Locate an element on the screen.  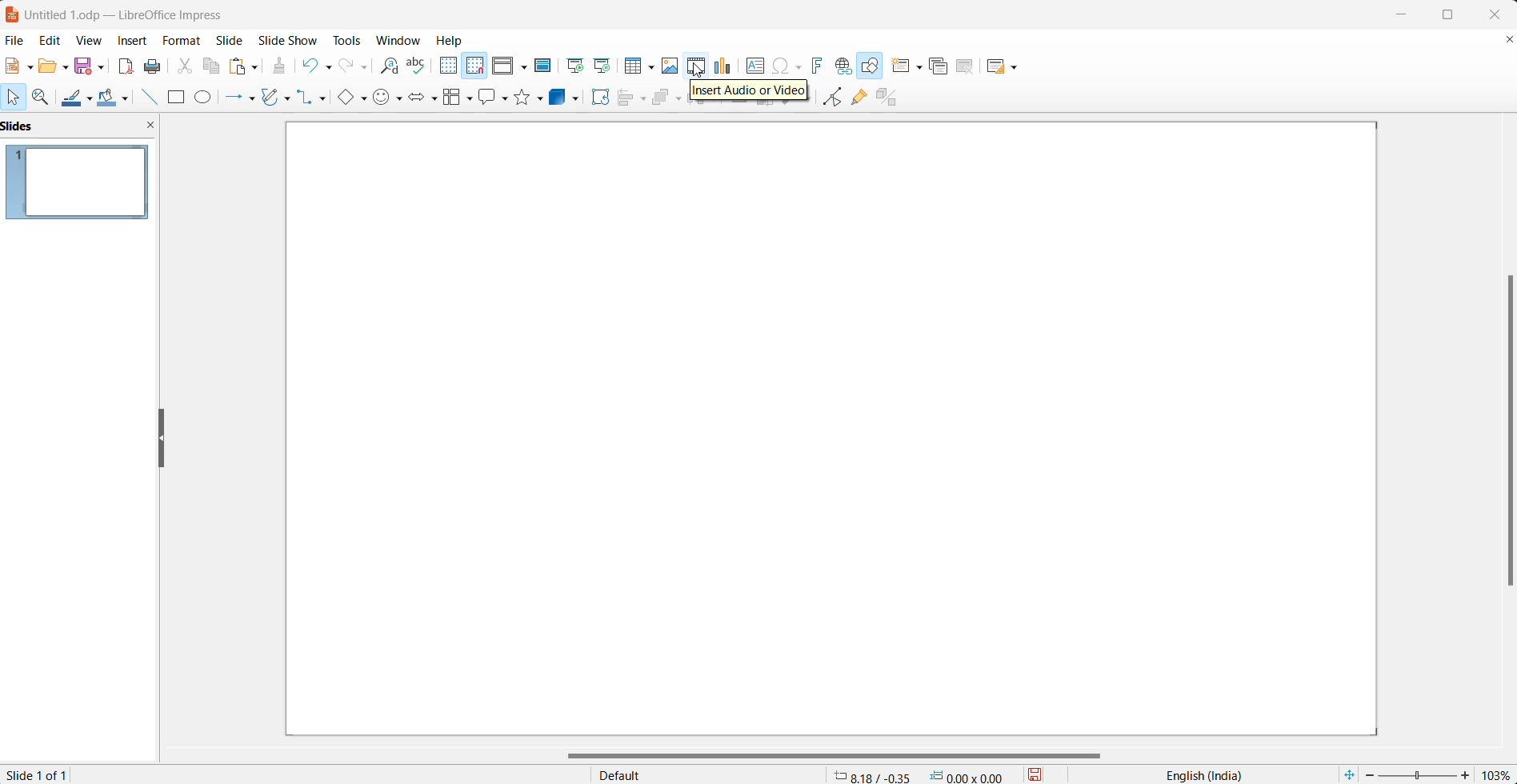
insert special character is located at coordinates (788, 66).